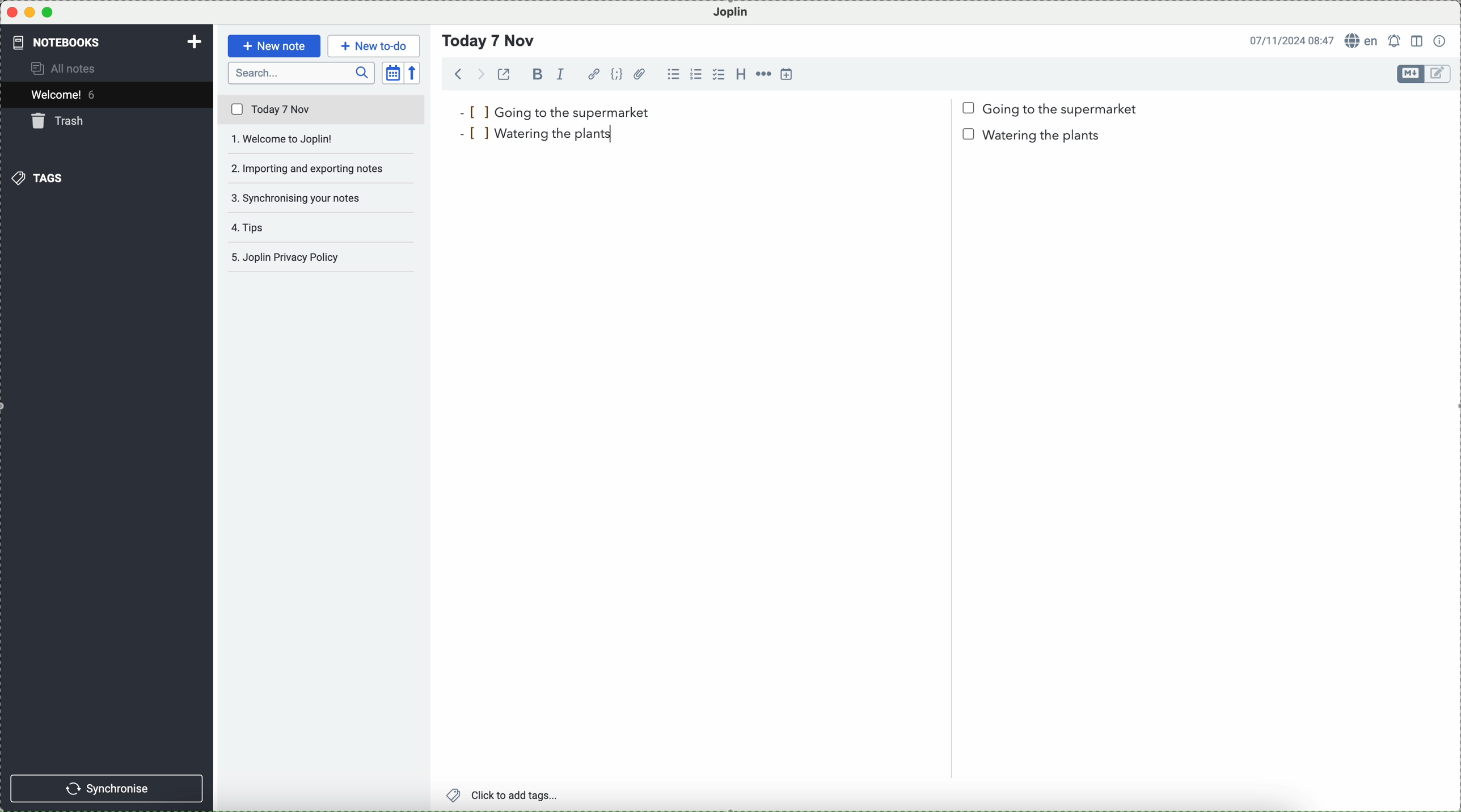 Image resolution: width=1461 pixels, height=812 pixels. I want to click on forward, so click(479, 74).